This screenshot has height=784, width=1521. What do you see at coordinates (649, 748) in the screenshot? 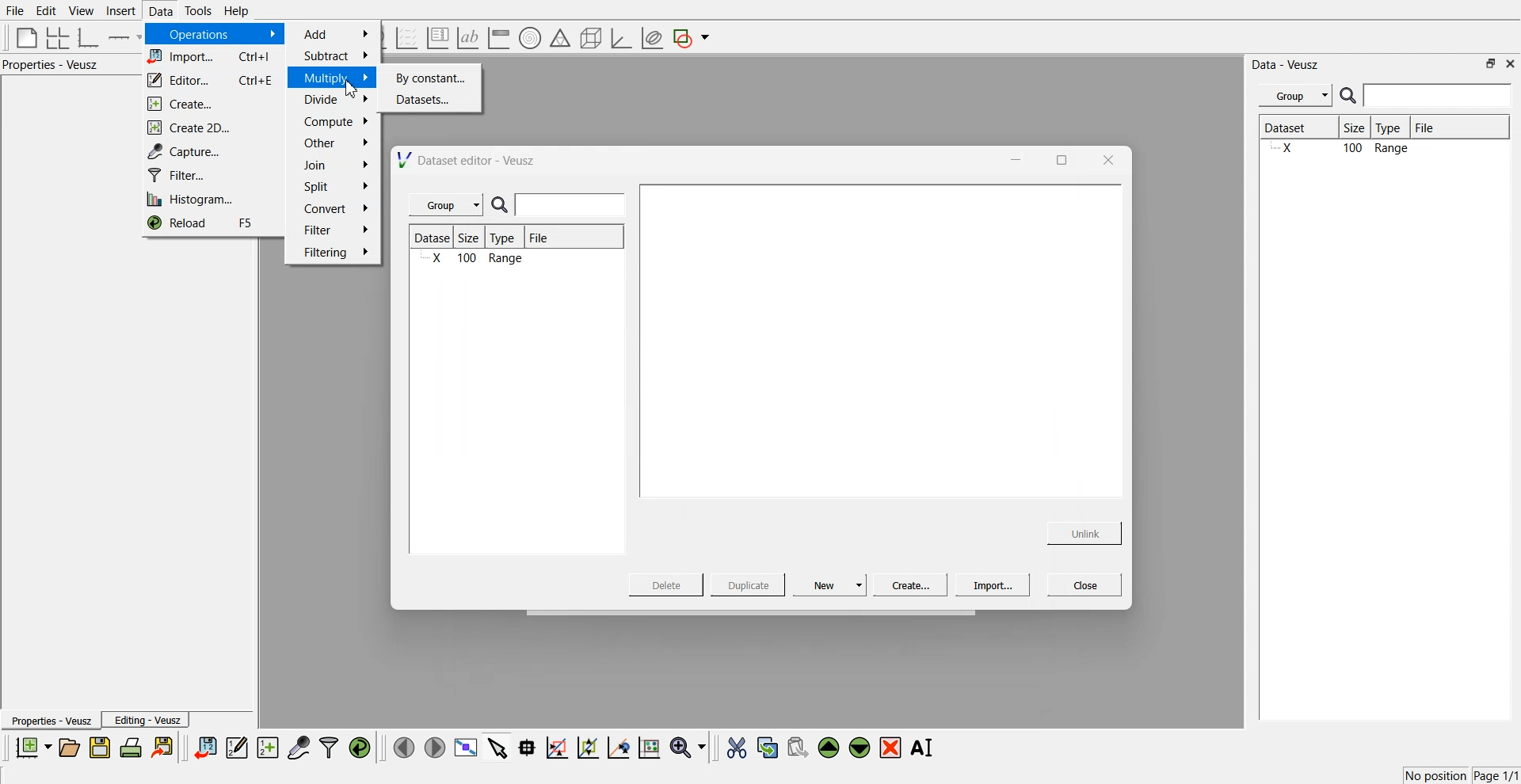
I see `reset the graph axes` at bounding box center [649, 748].